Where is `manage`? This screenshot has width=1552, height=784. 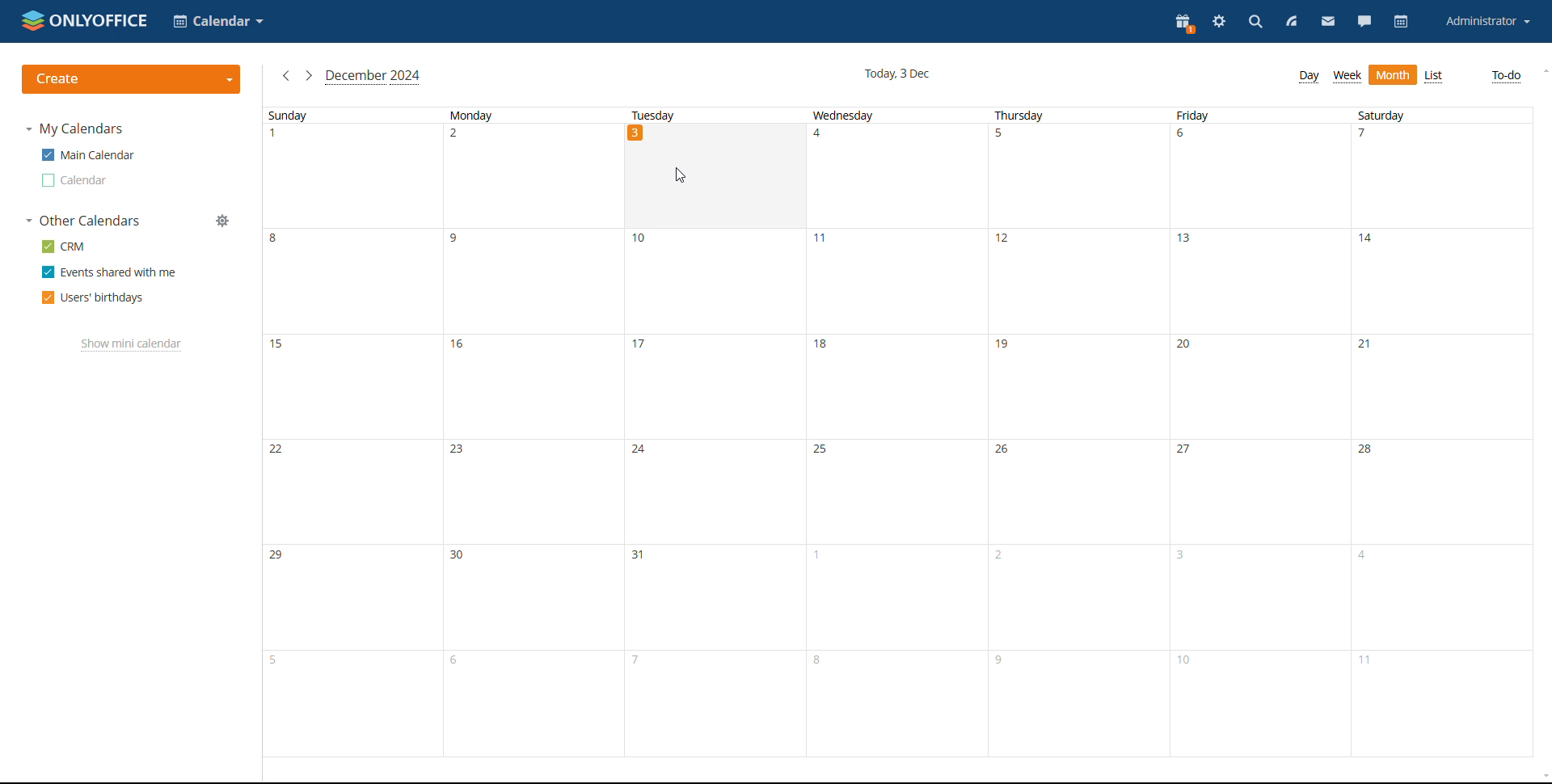 manage is located at coordinates (223, 221).